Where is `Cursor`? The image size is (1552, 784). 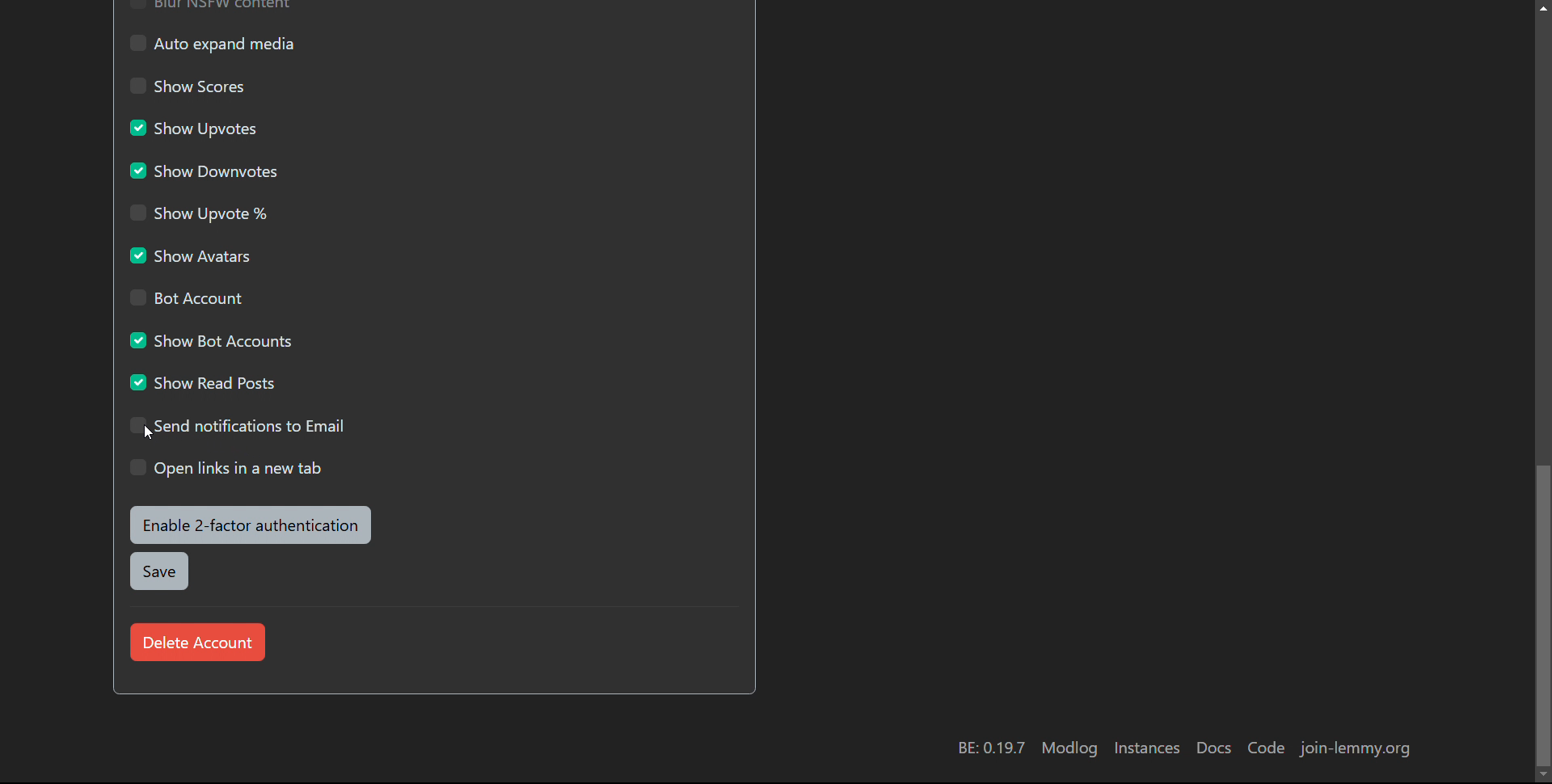
Cursor is located at coordinates (149, 432).